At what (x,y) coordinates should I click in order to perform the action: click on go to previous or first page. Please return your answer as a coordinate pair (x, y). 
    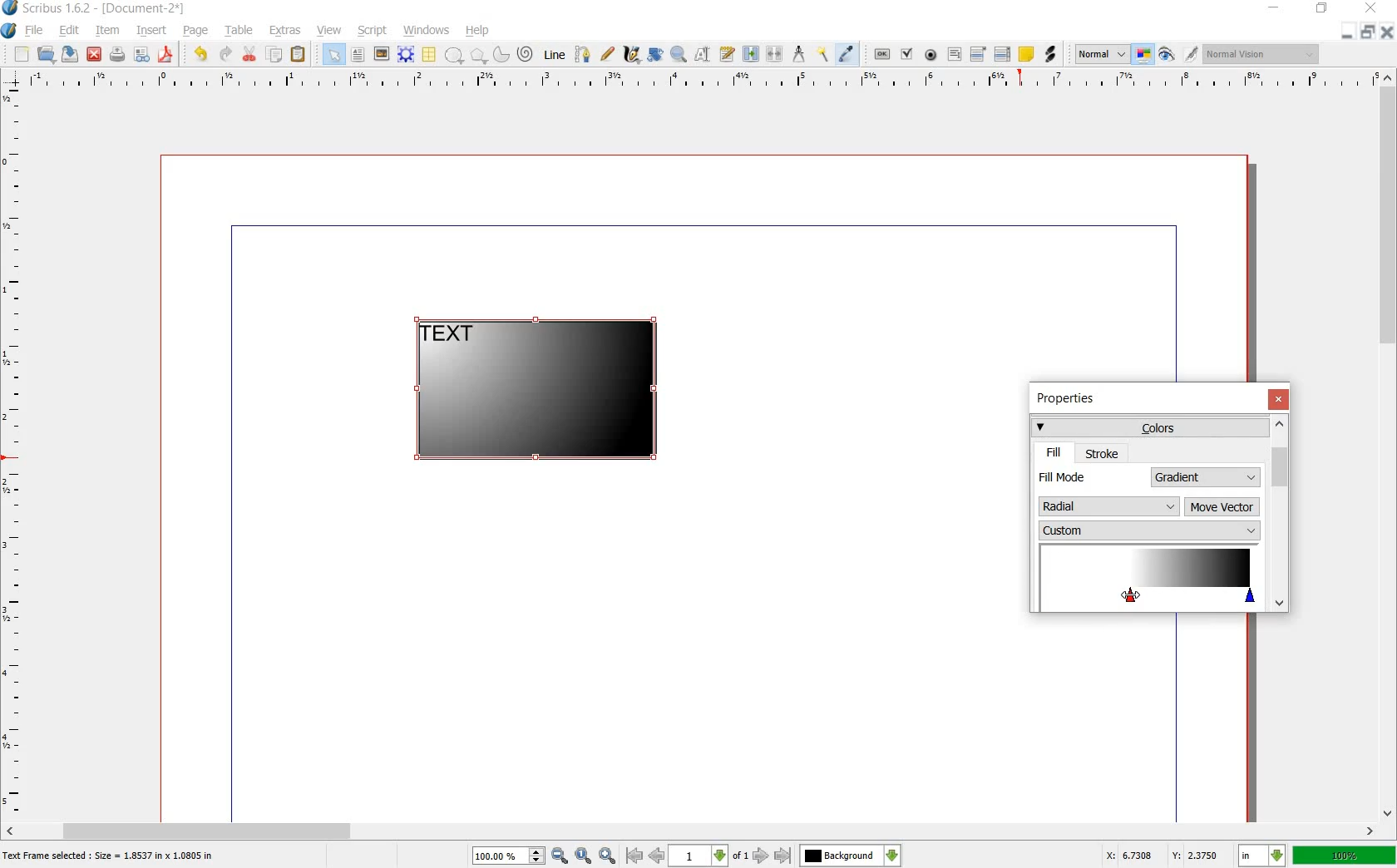
    Looking at the image, I should click on (644, 856).